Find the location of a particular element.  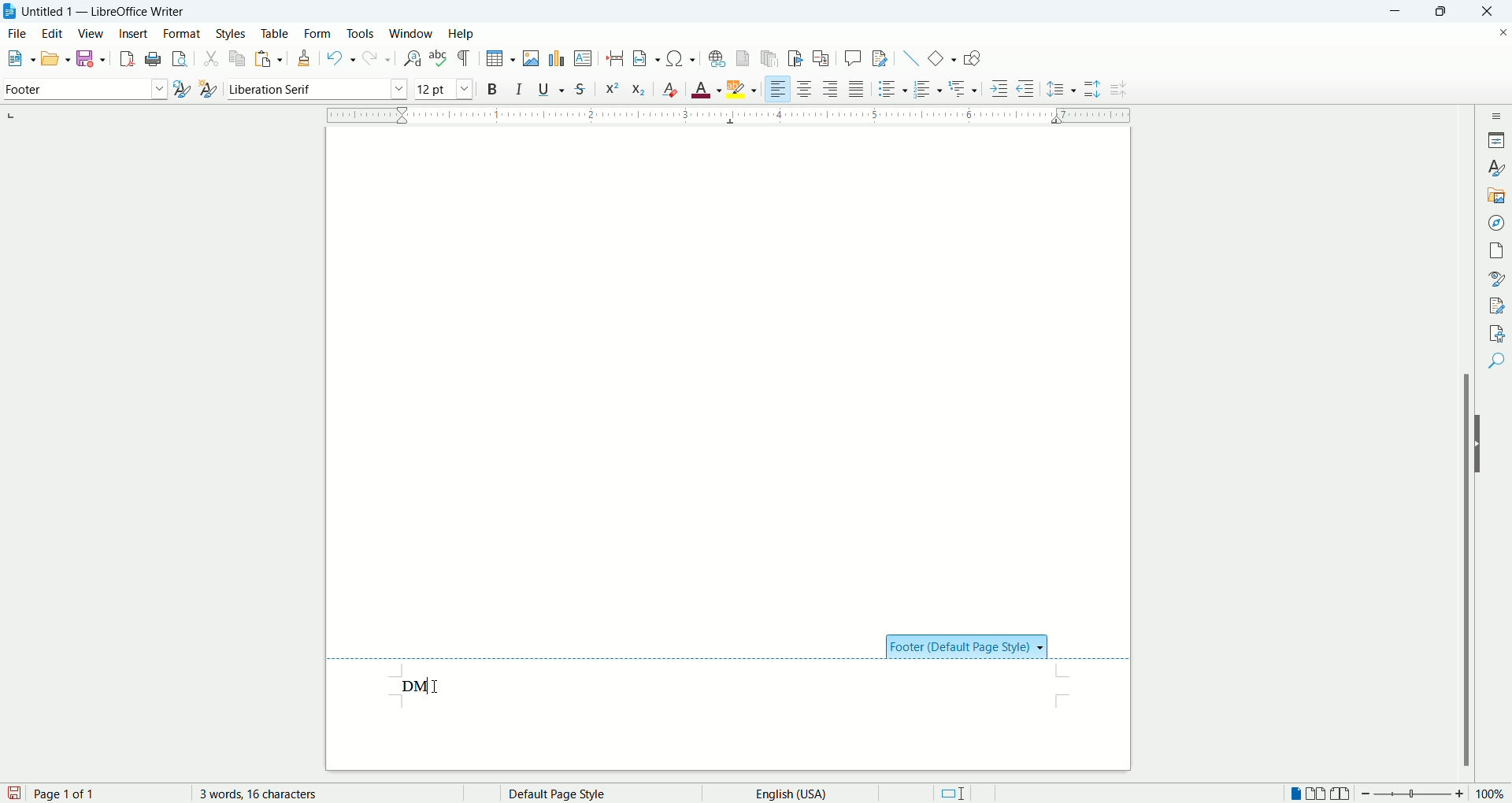

hide is located at coordinates (1482, 444).